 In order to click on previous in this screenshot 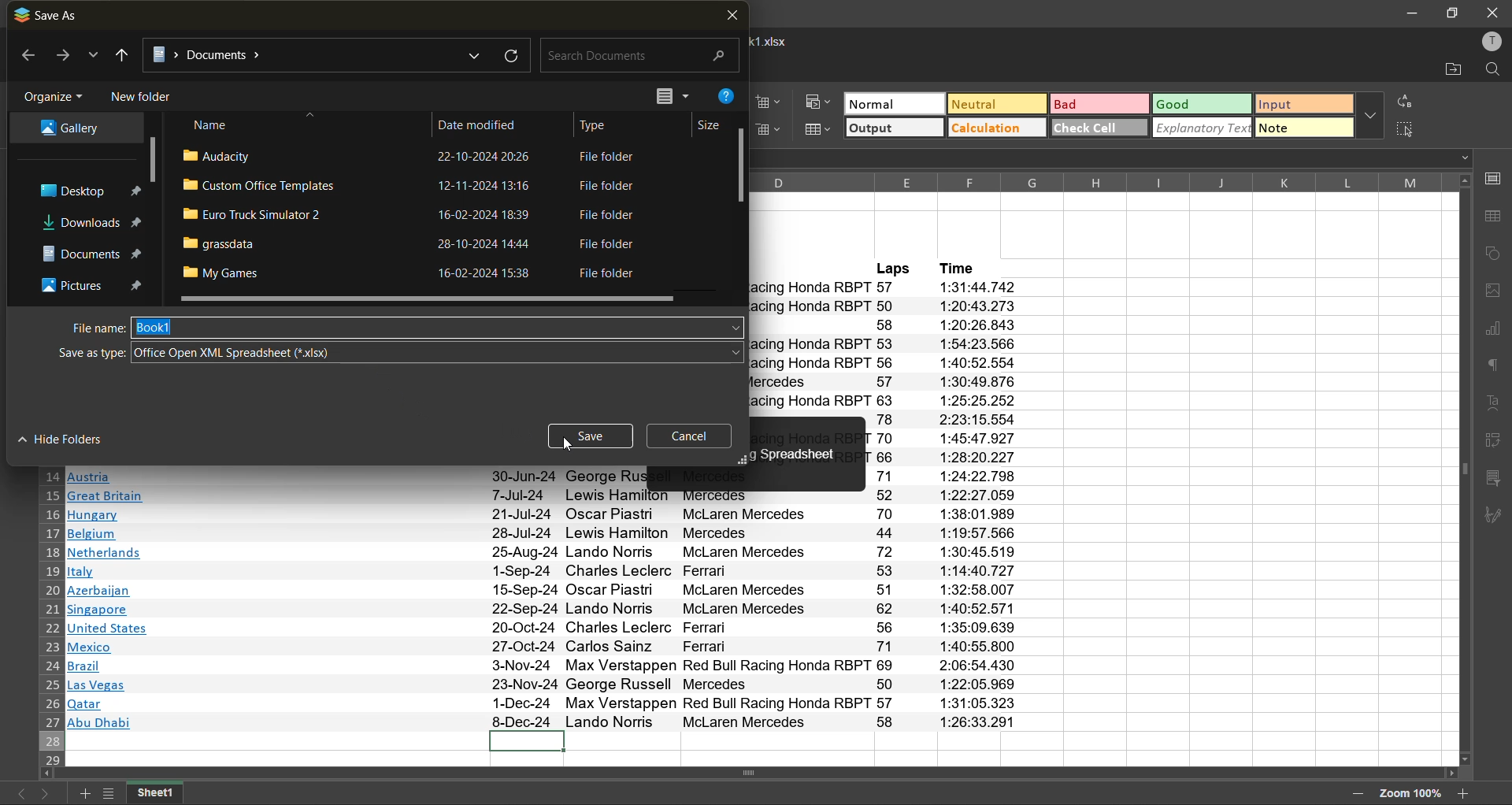, I will do `click(17, 794)`.